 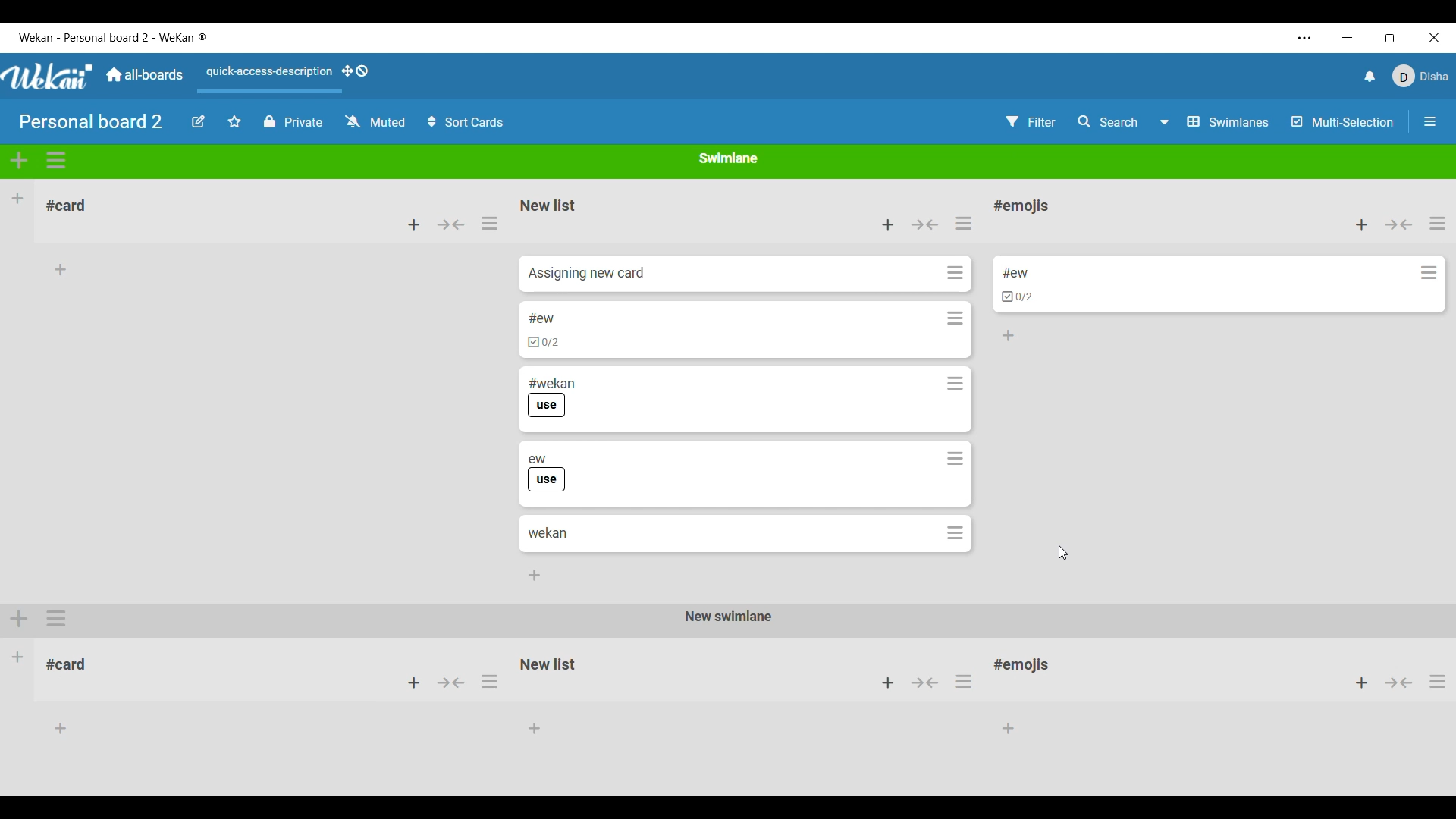 I want to click on Add selected card to top of the list, so click(x=1362, y=224).